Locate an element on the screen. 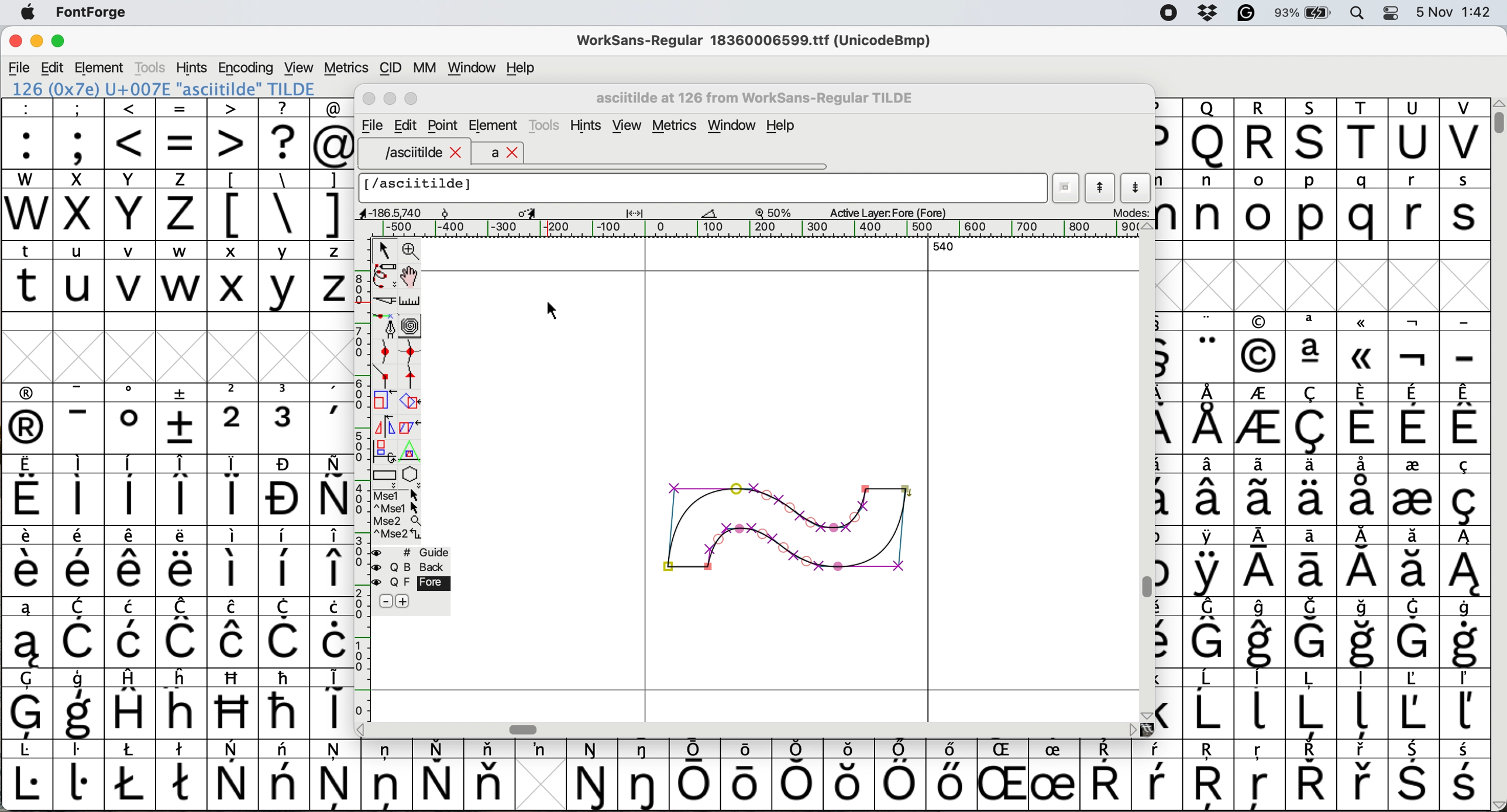 The height and width of the screenshot is (812, 1507). ] is located at coordinates (331, 203).